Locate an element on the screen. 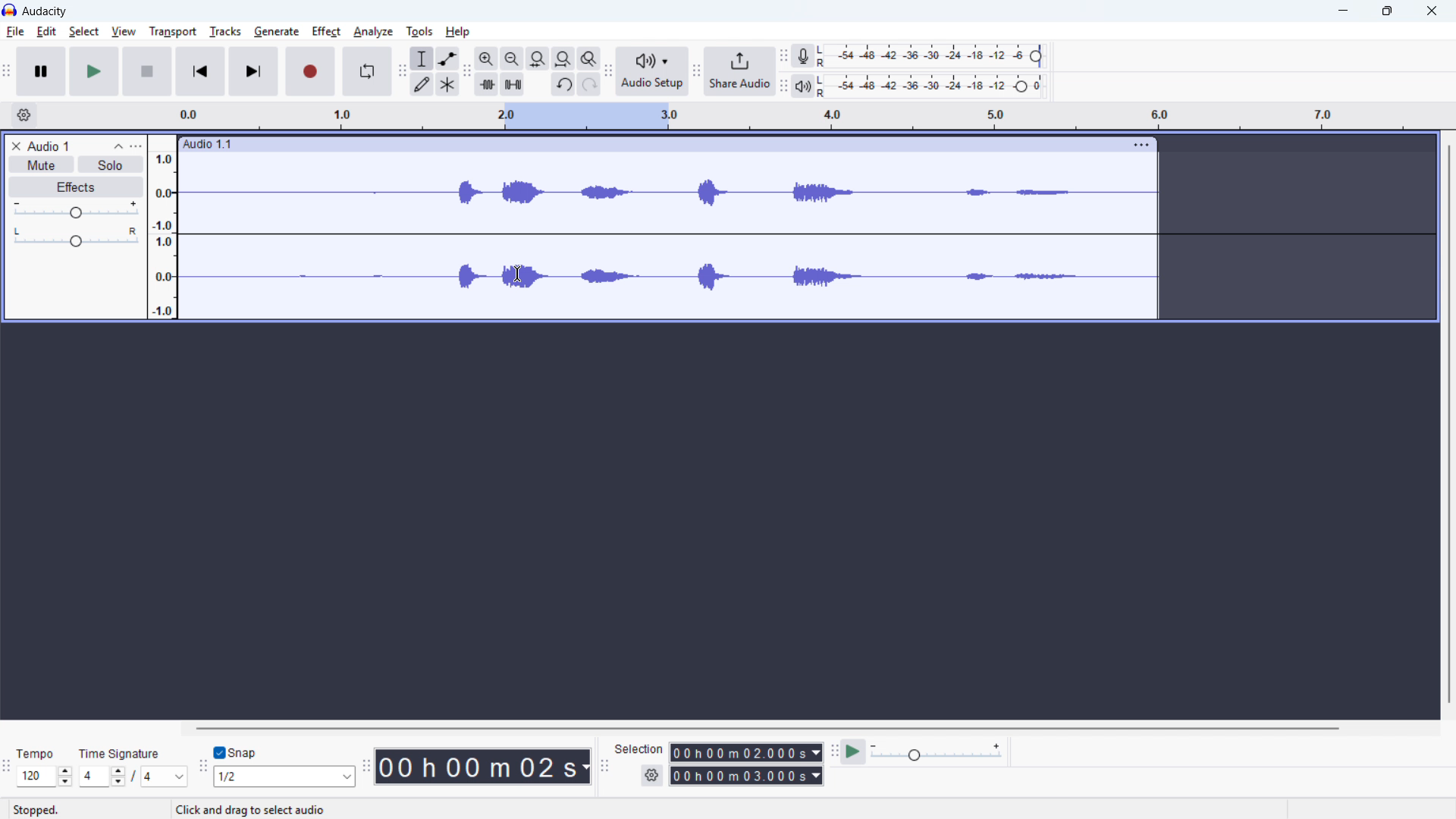 The height and width of the screenshot is (819, 1456). Audio setup is located at coordinates (652, 71).